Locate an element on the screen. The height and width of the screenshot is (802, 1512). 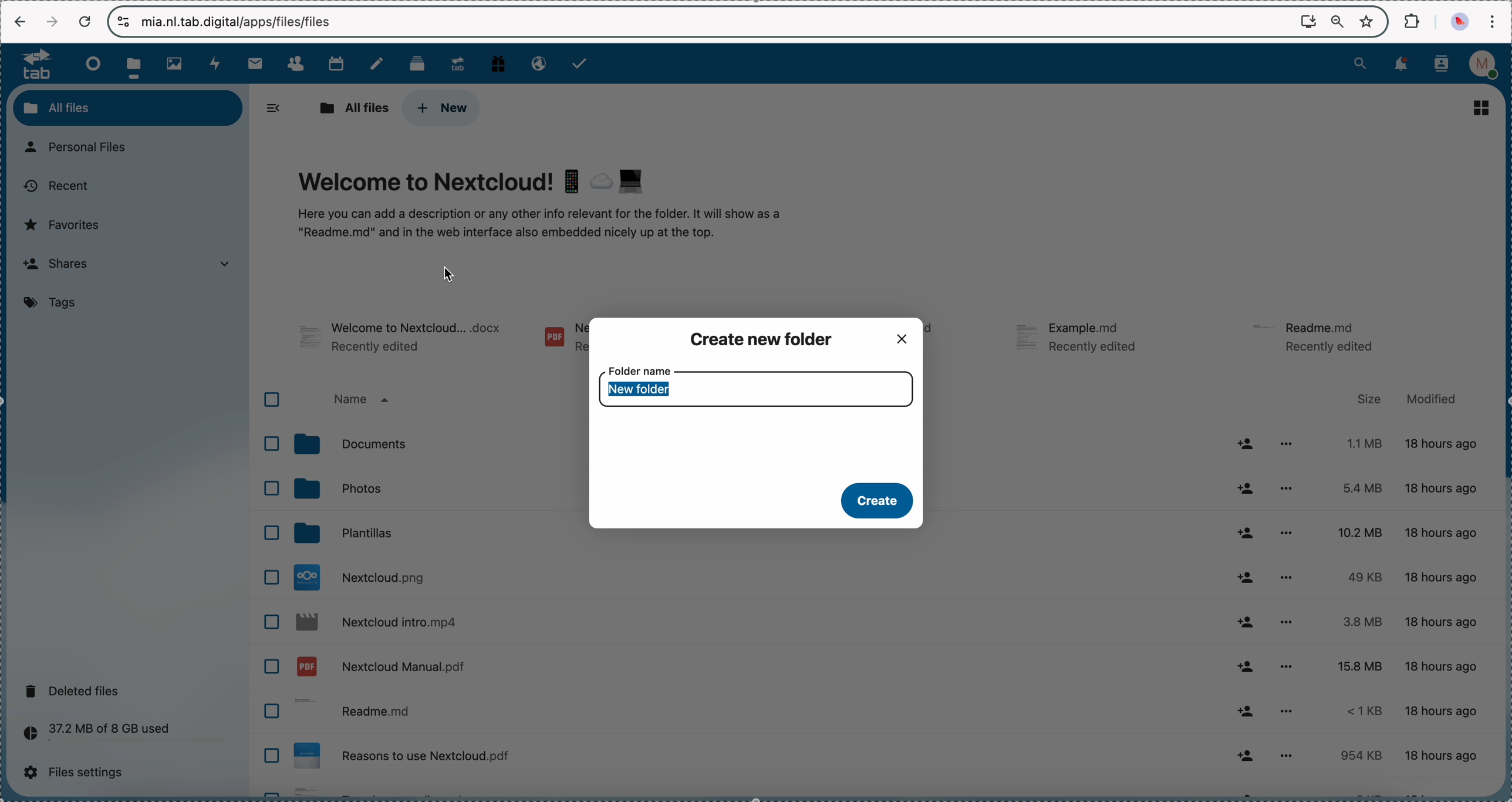
file is located at coordinates (1082, 340).